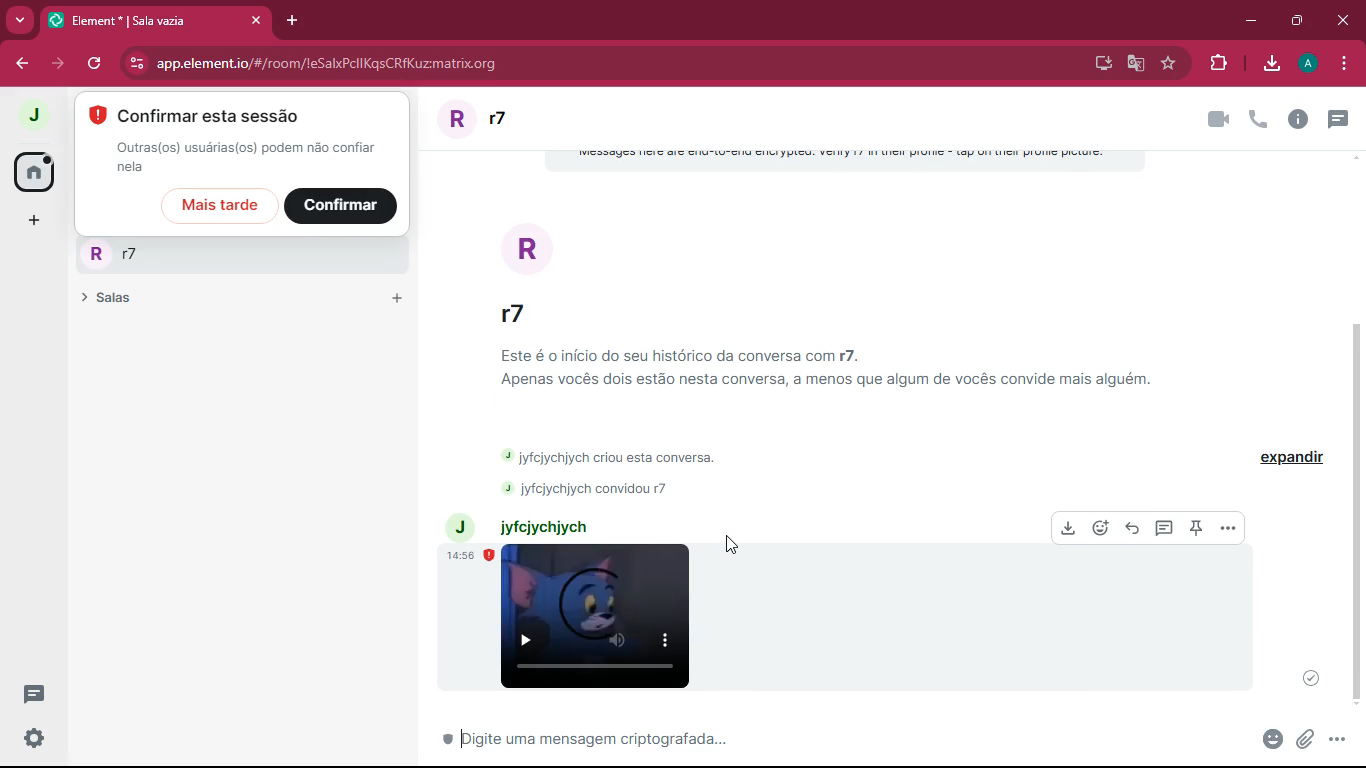  Describe the element at coordinates (1322, 120) in the screenshot. I see `people` at that location.